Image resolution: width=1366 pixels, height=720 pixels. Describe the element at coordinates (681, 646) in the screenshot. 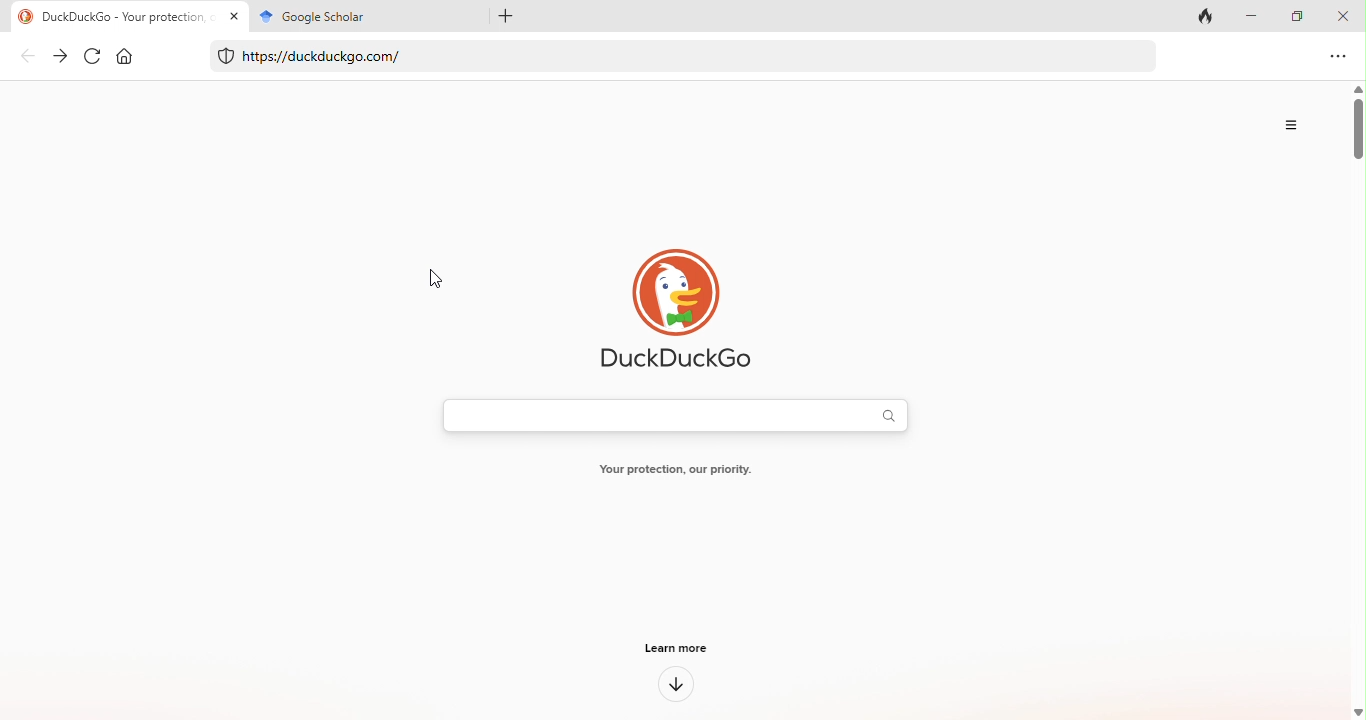

I see `learn more` at that location.